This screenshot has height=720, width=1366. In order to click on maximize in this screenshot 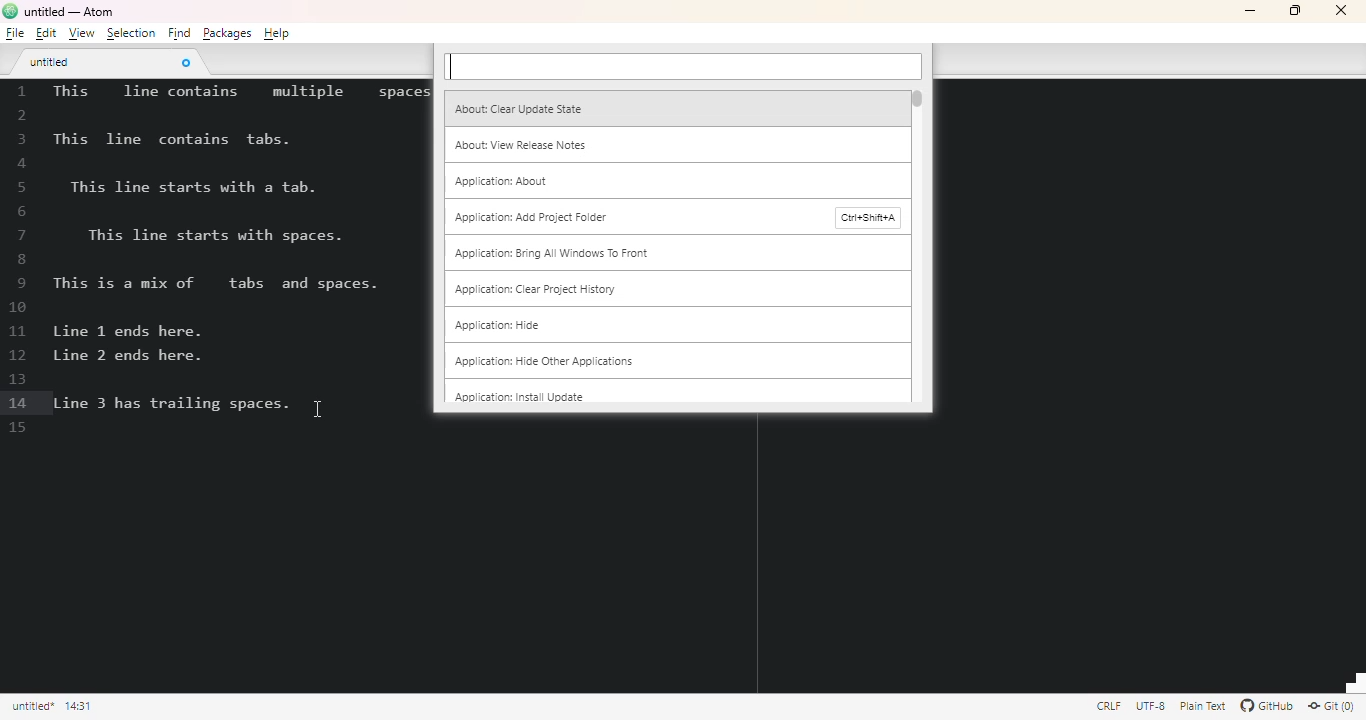, I will do `click(1295, 10)`.